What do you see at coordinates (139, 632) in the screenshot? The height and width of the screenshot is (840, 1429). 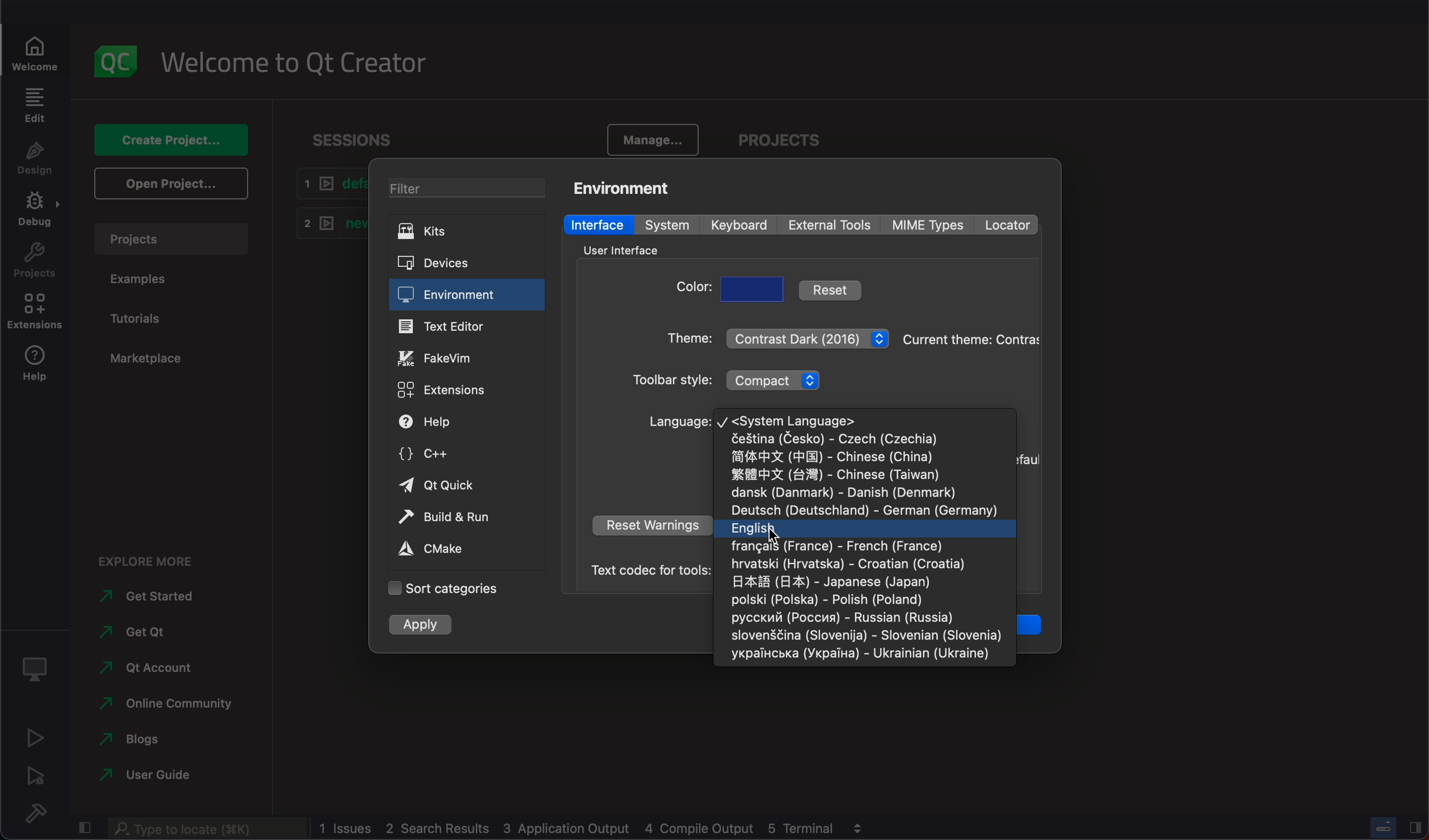 I see `get qt` at bounding box center [139, 632].